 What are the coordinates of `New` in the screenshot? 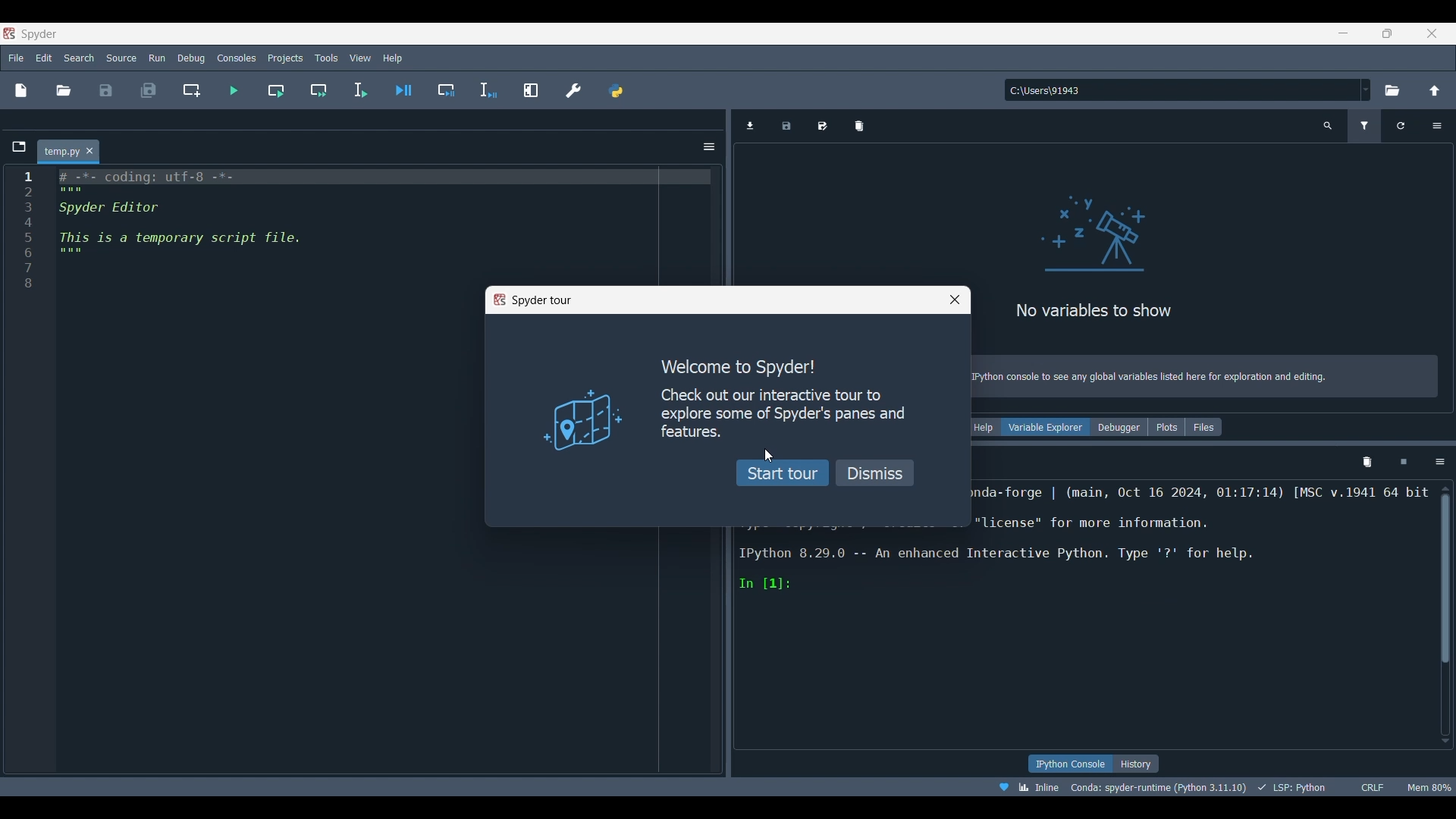 It's located at (22, 93).